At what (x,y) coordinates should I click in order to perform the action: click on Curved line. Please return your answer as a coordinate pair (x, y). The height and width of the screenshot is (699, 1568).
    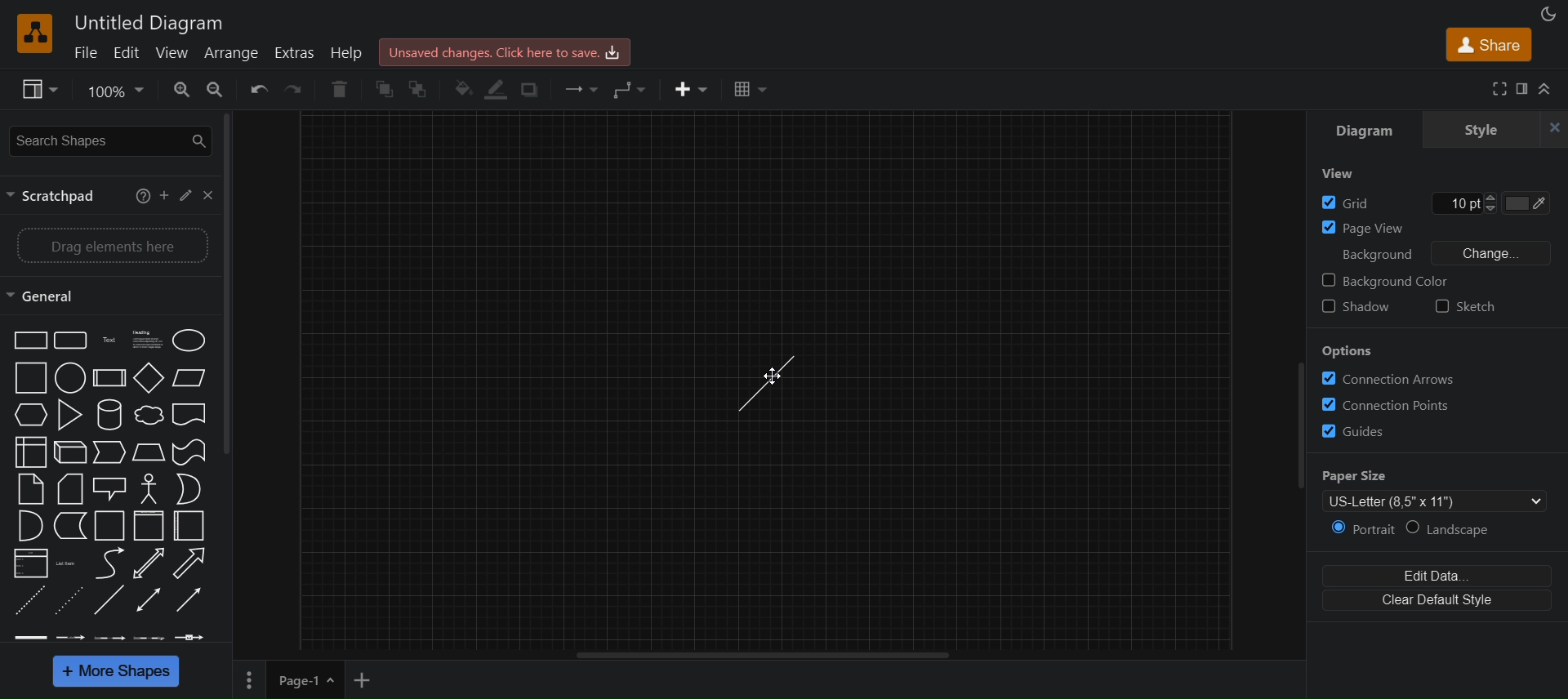
    Looking at the image, I should click on (106, 563).